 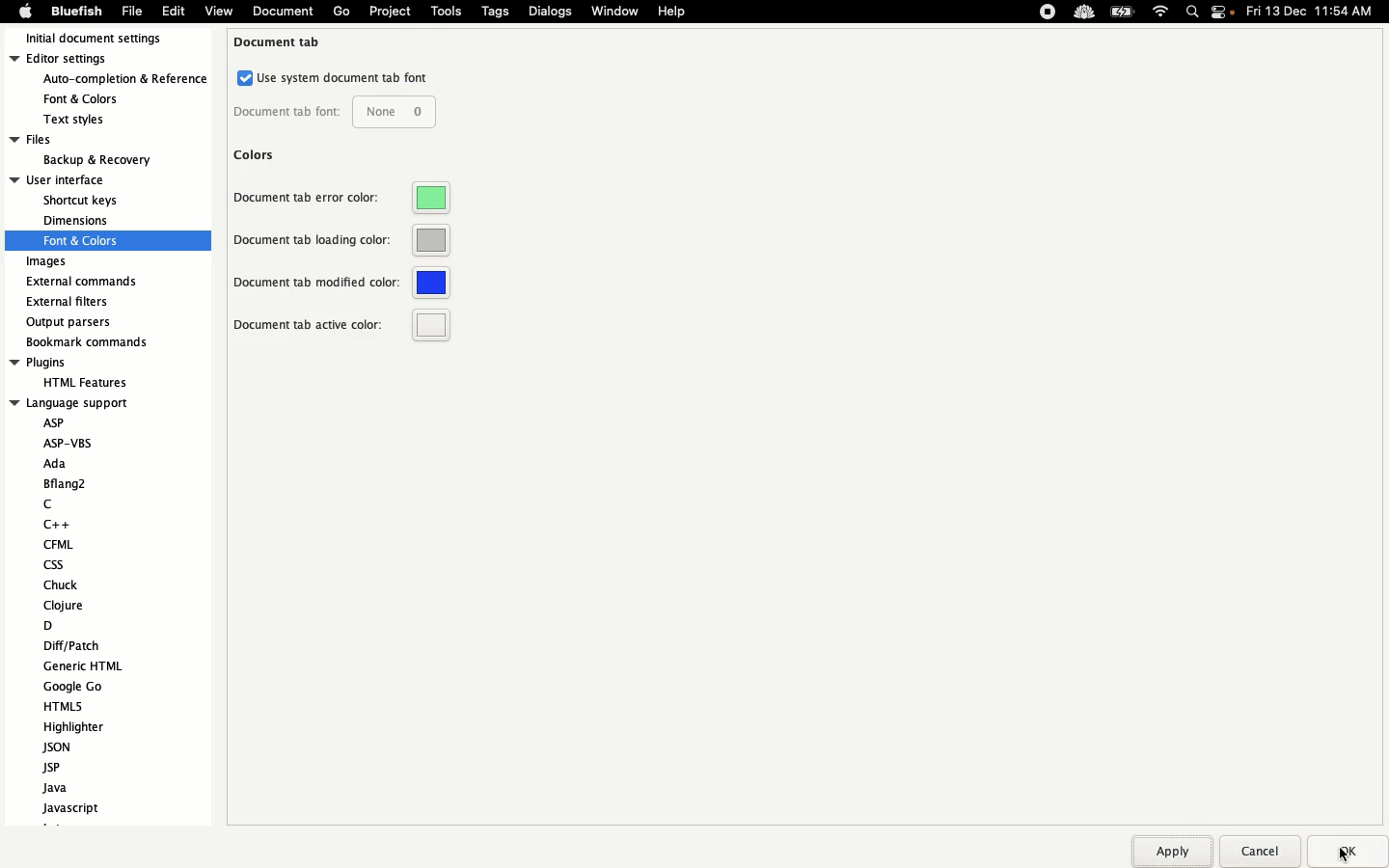 What do you see at coordinates (1161, 13) in the screenshot?
I see `Internet` at bounding box center [1161, 13].